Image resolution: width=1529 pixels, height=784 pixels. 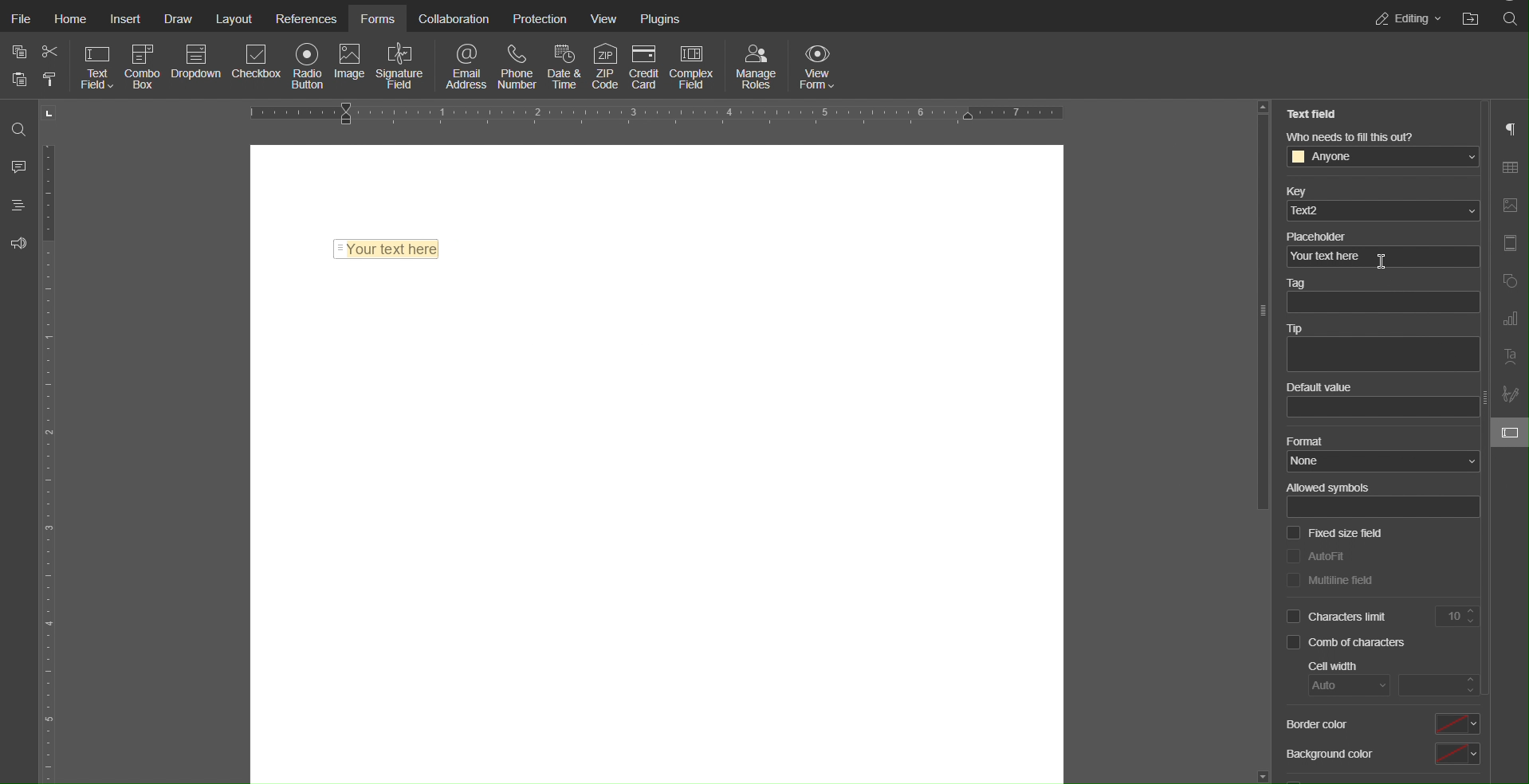 What do you see at coordinates (1379, 401) in the screenshot?
I see `Default value` at bounding box center [1379, 401].